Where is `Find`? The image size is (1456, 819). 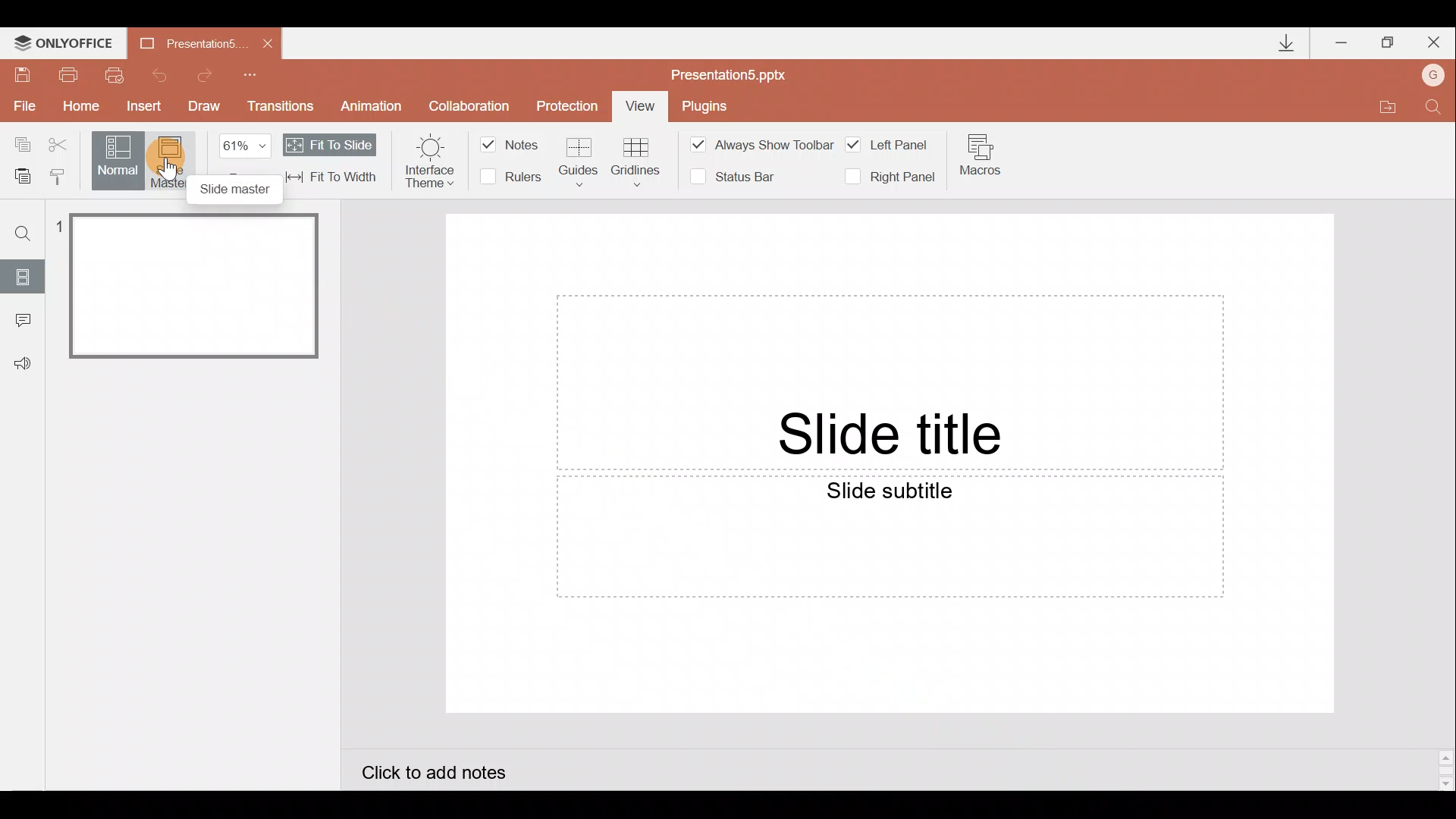
Find is located at coordinates (1435, 104).